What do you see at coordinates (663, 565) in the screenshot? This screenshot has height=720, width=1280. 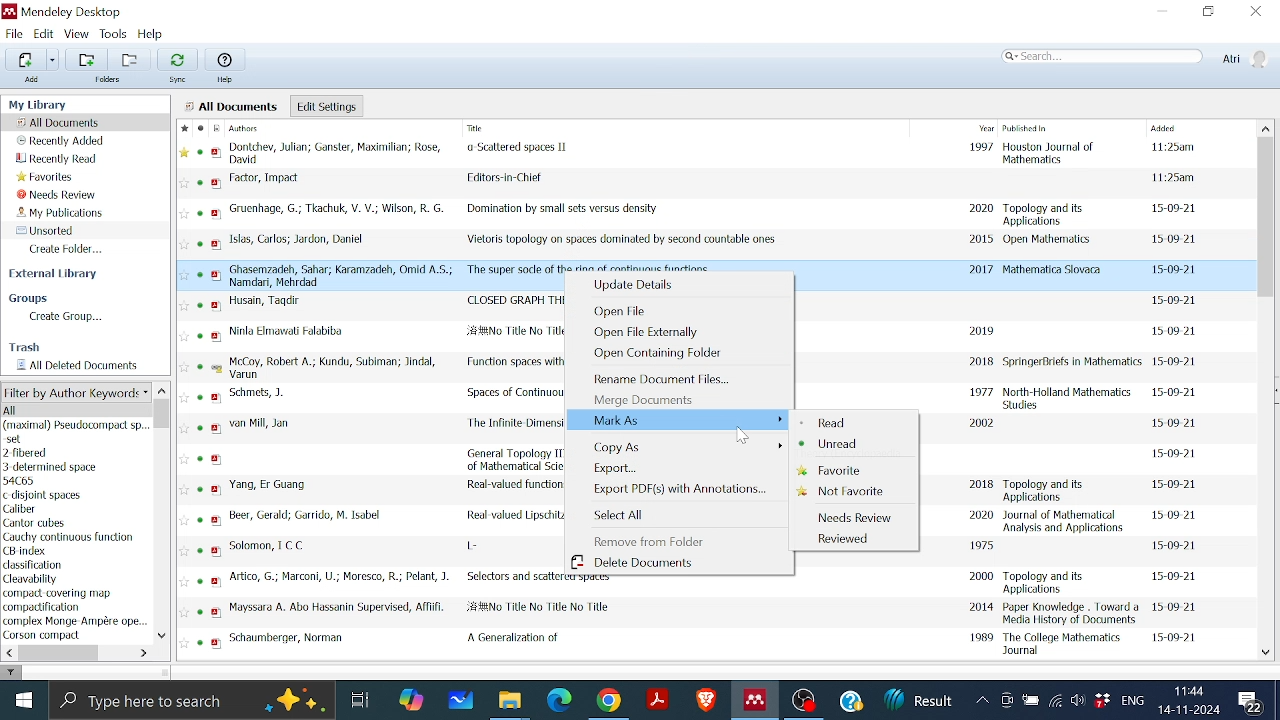 I see `Delete documents` at bounding box center [663, 565].